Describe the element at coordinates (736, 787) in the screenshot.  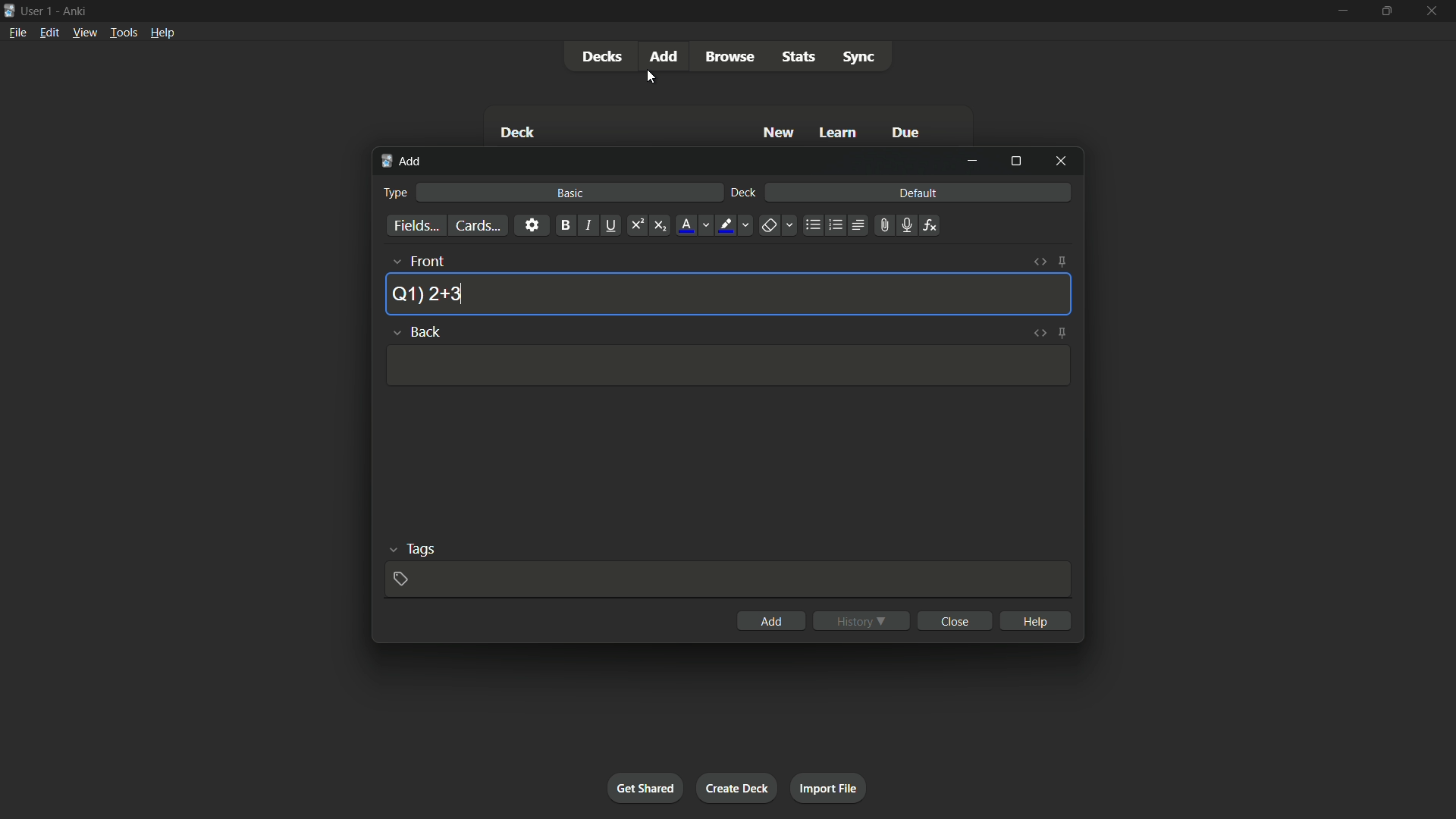
I see `create deck` at that location.